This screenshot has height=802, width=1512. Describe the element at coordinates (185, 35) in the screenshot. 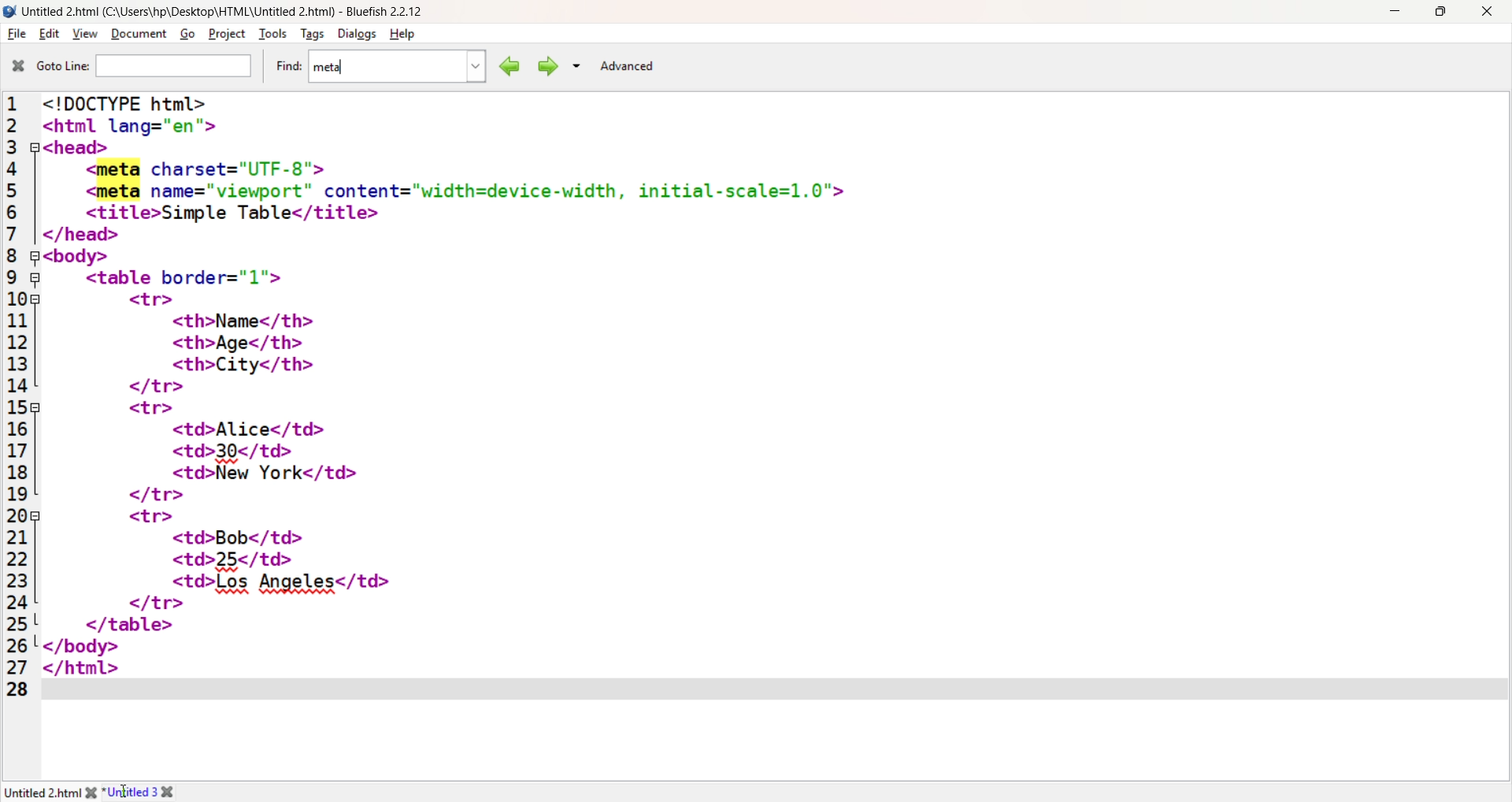

I see `Go` at that location.